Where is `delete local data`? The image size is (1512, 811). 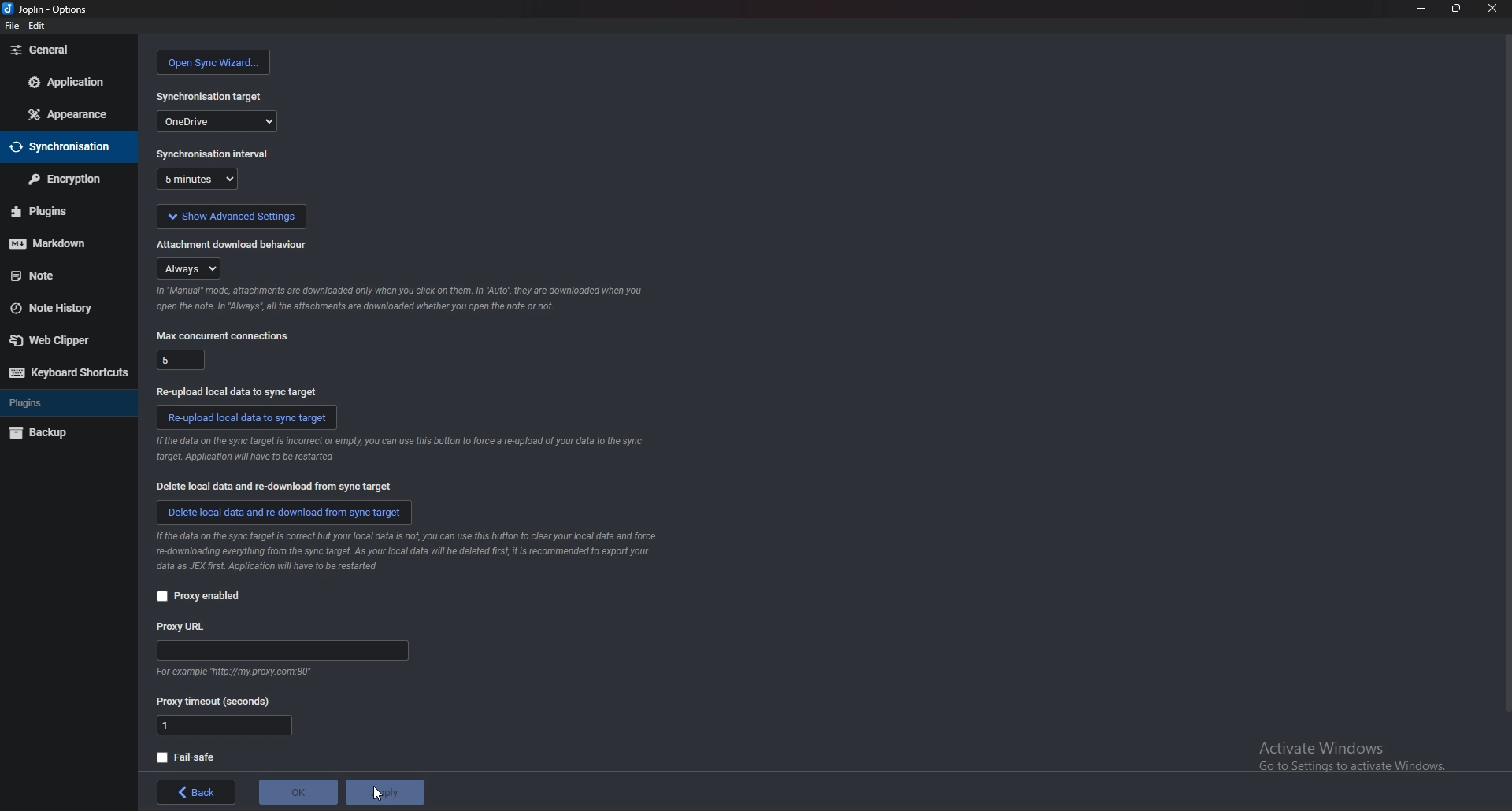 delete local data is located at coordinates (279, 487).